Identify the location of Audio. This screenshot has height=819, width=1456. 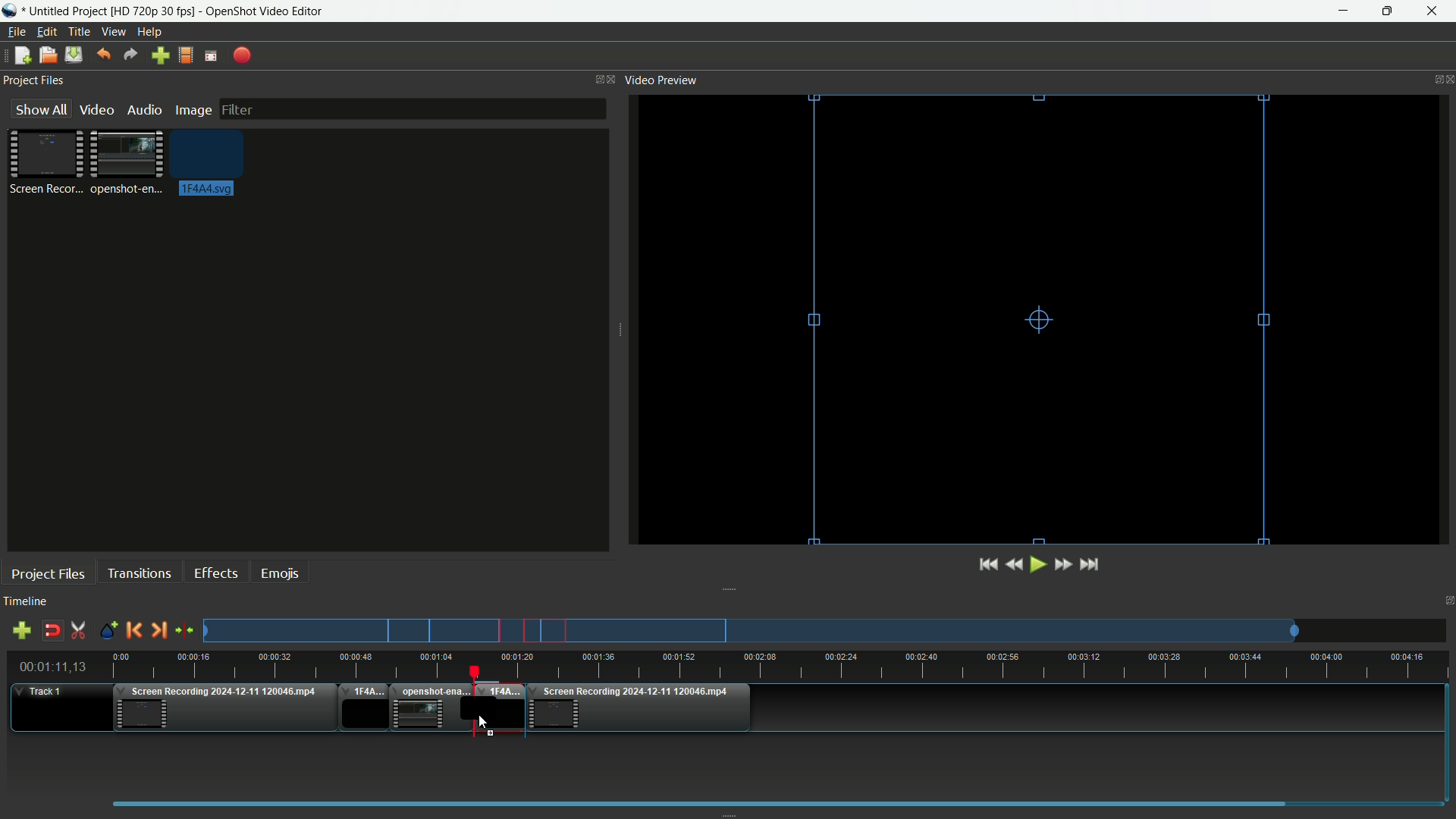
(144, 110).